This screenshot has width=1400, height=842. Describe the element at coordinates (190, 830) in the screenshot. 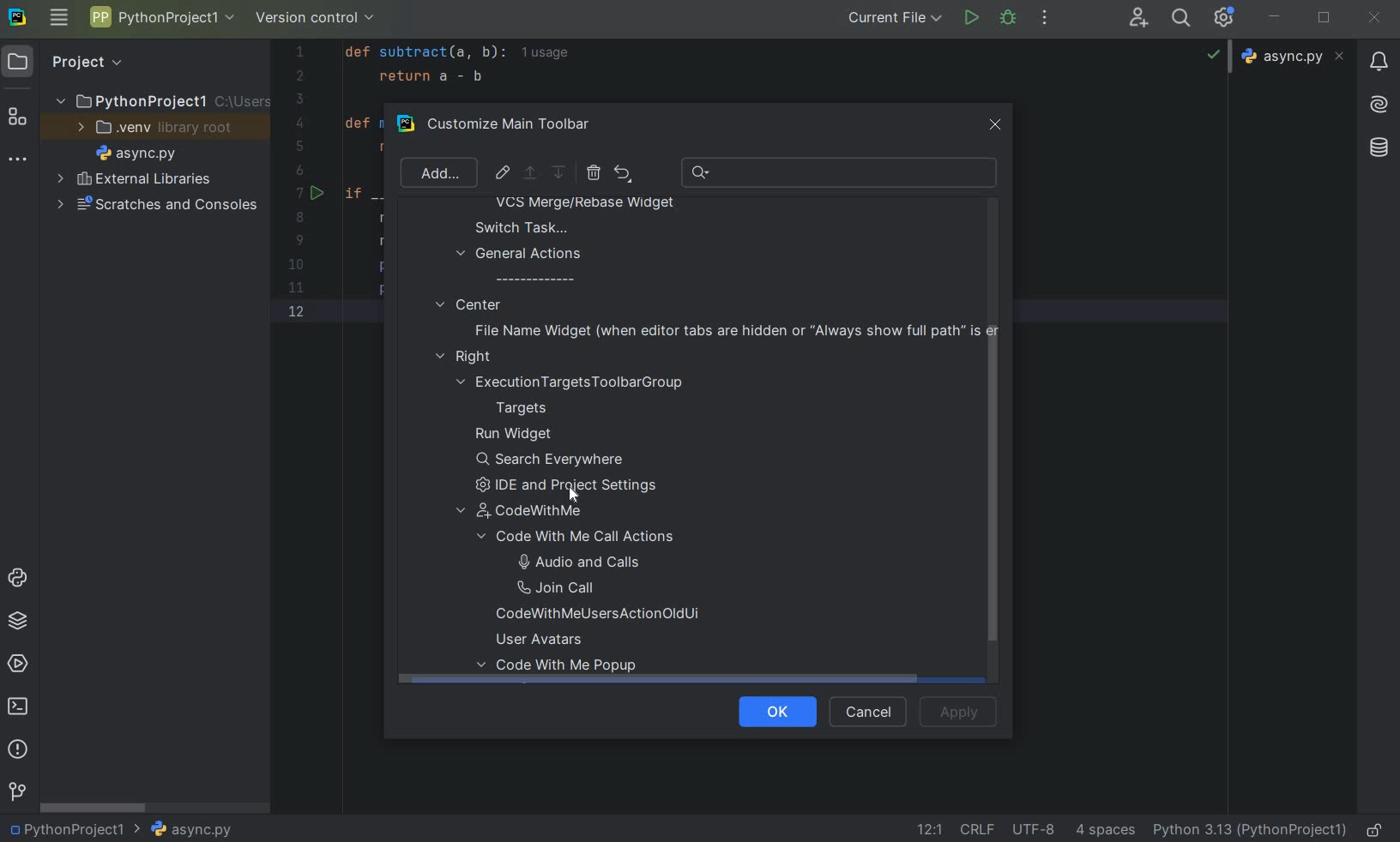

I see `FILE NAME` at that location.